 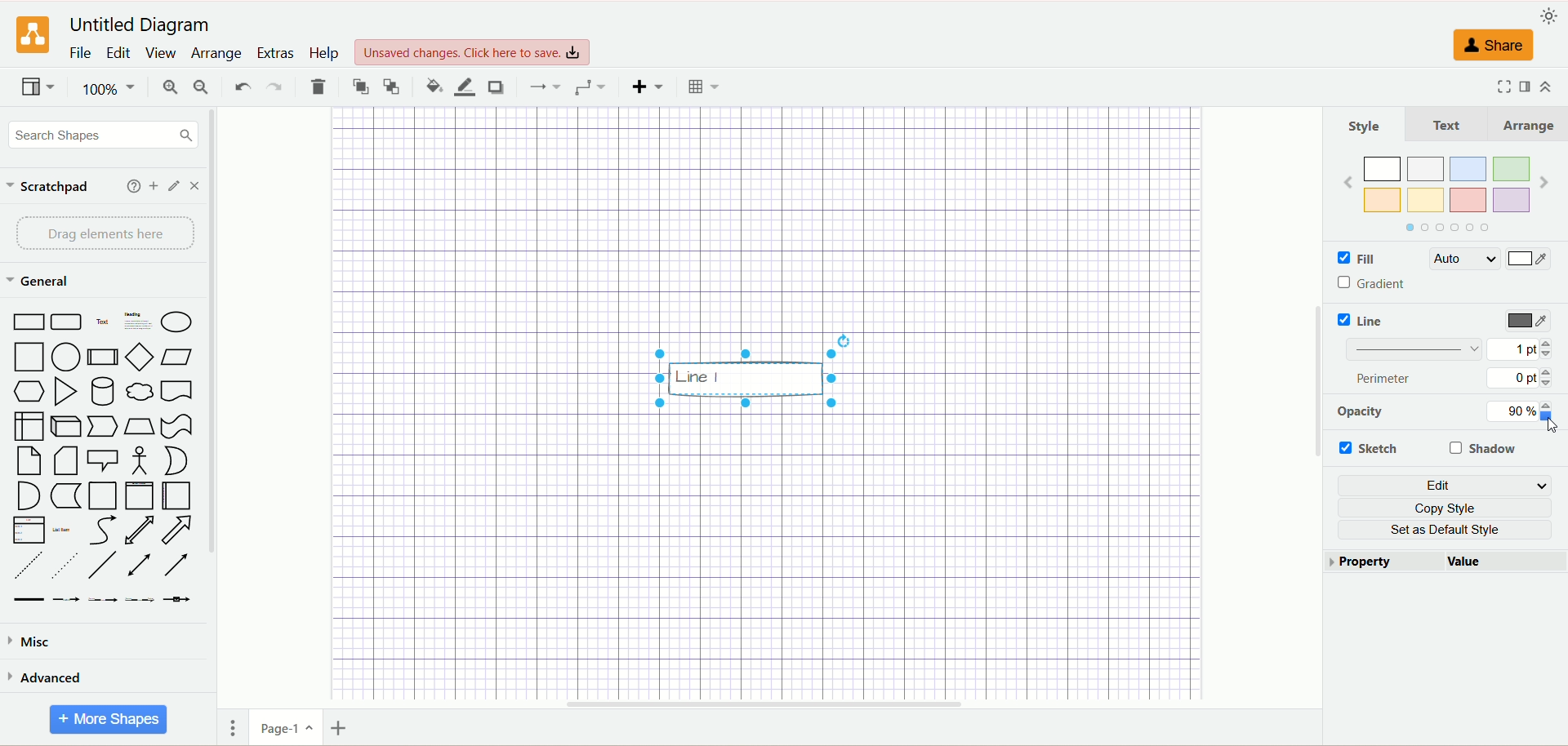 I want to click on Color, so click(x=1532, y=262).